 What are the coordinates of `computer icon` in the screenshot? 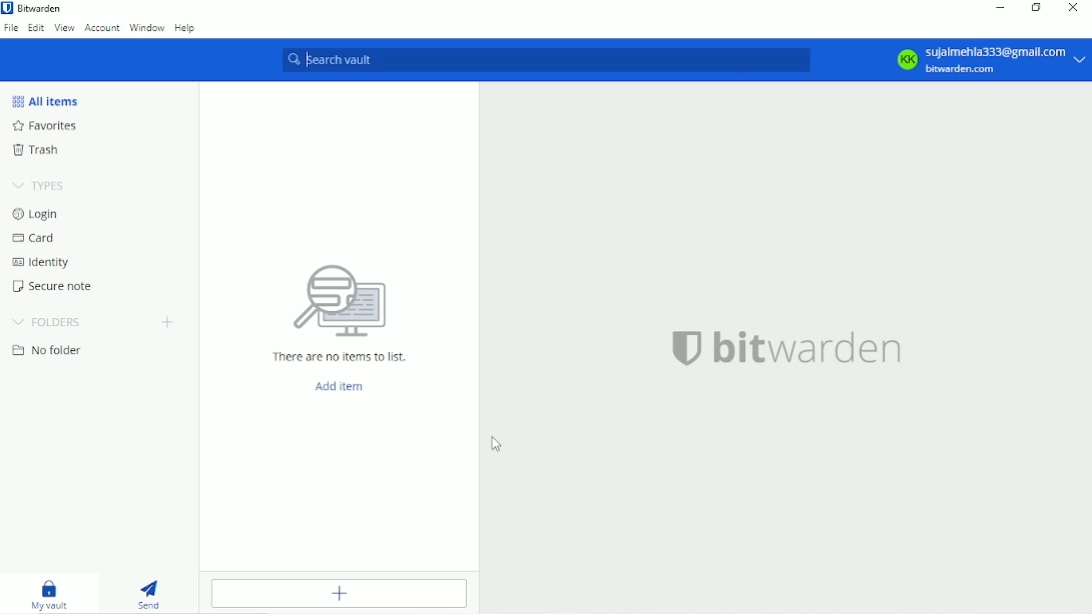 It's located at (339, 303).